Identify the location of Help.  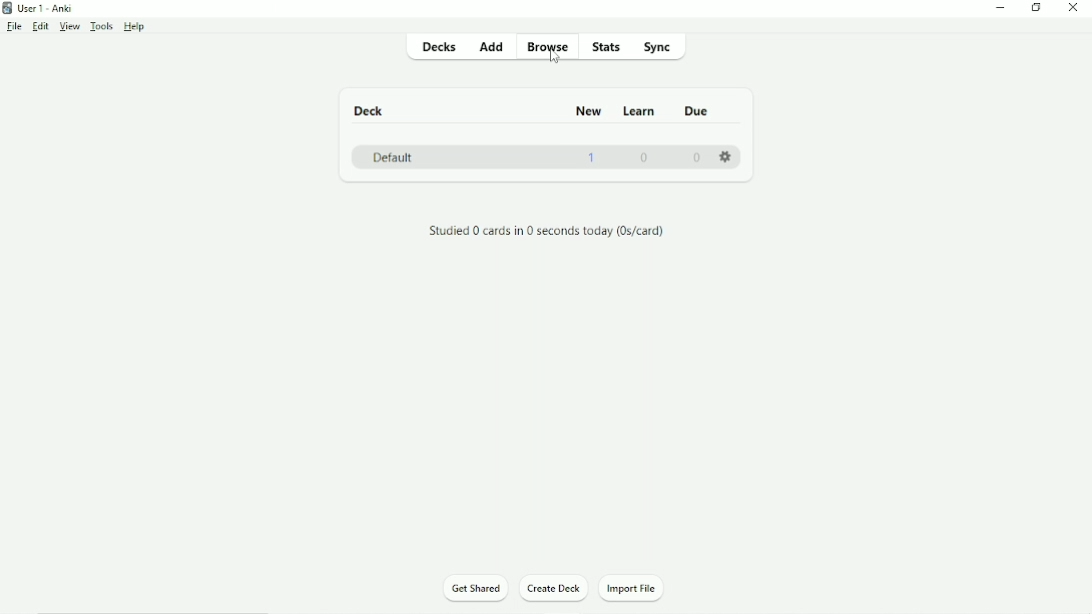
(134, 28).